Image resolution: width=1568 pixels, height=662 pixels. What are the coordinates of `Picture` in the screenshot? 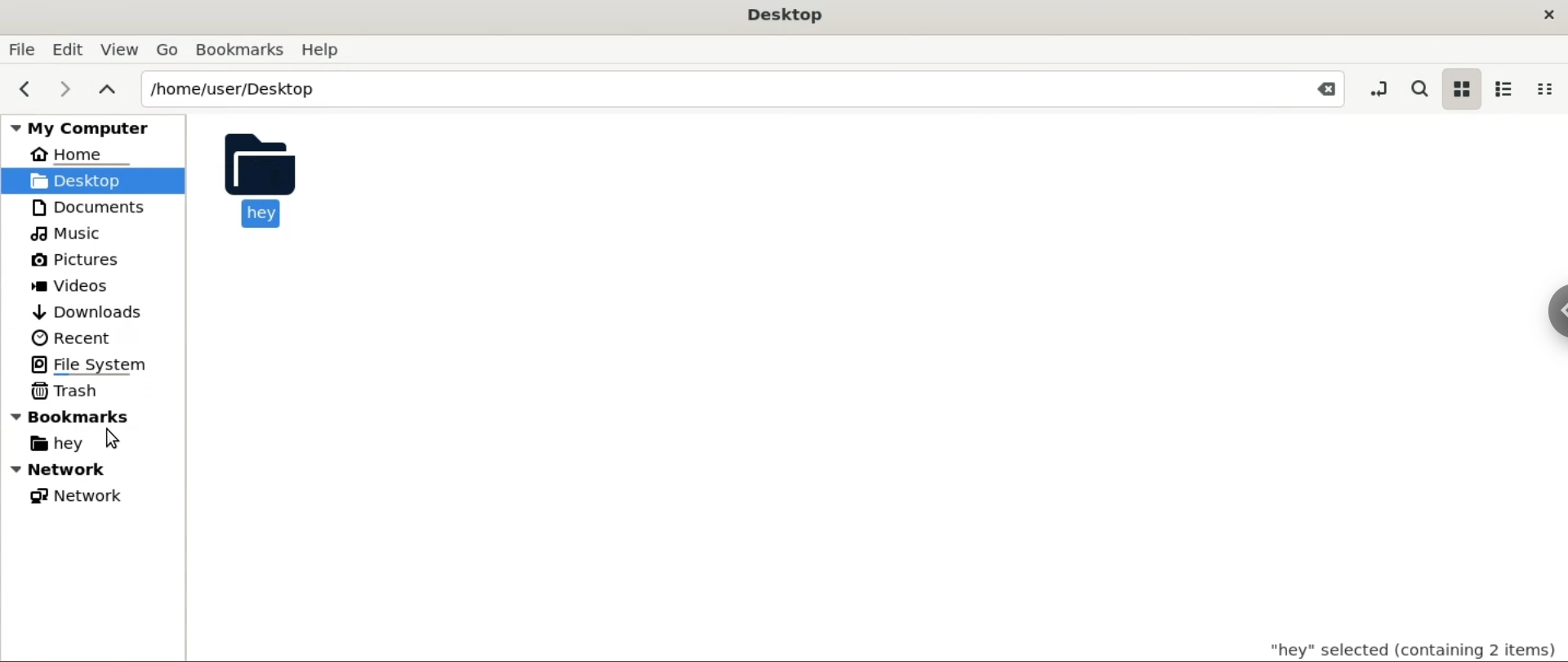 It's located at (85, 261).